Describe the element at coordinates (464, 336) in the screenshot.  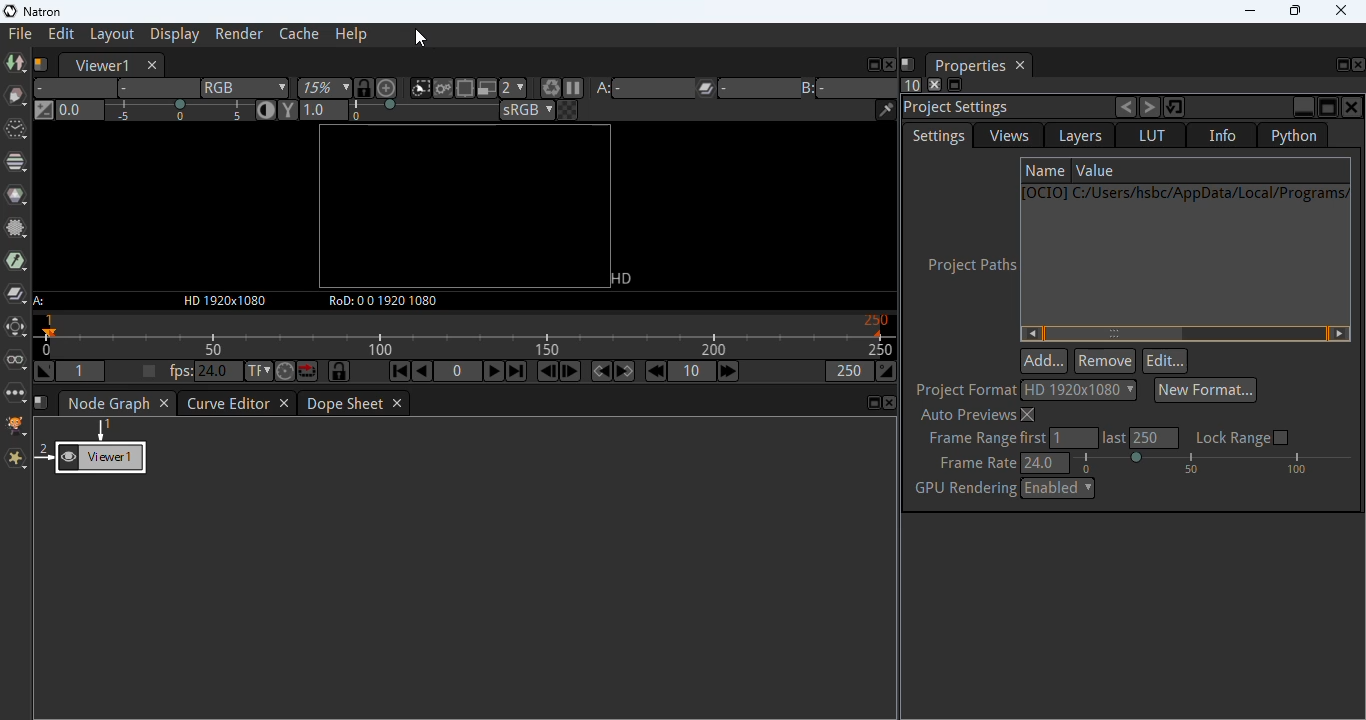
I see `fps` at that location.